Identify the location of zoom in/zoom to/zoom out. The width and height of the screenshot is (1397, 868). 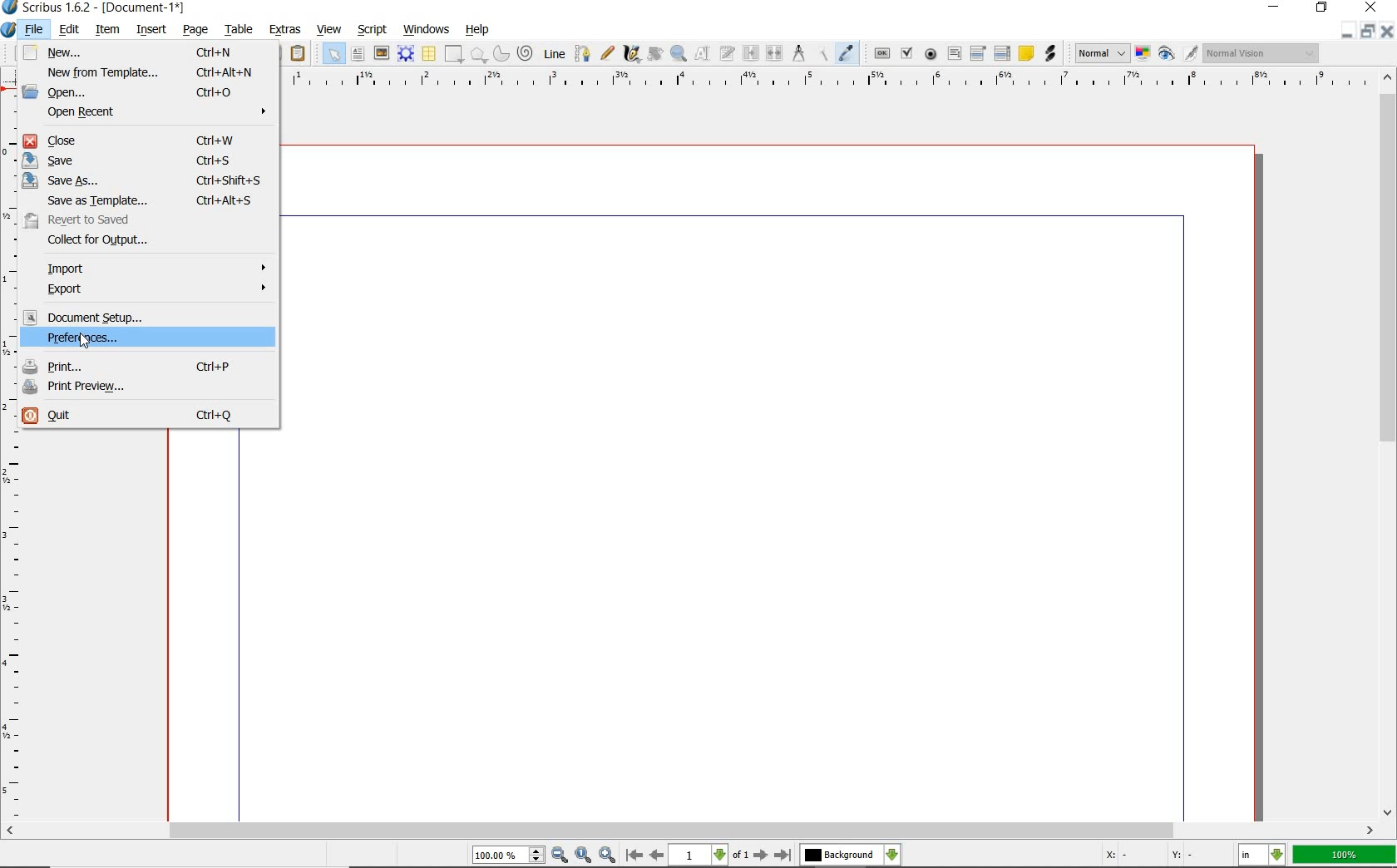
(544, 856).